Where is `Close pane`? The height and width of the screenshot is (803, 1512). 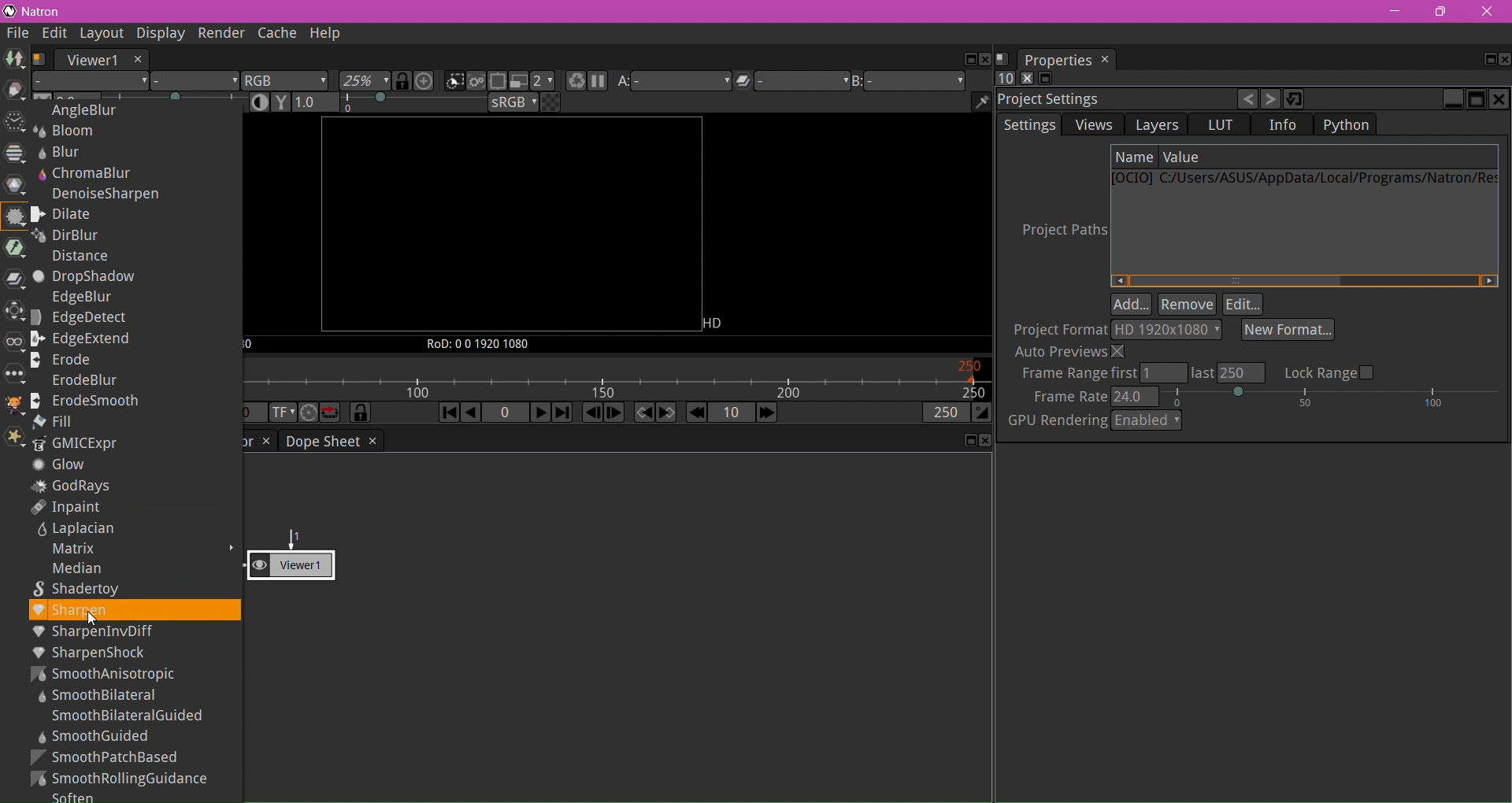
Close pane is located at coordinates (984, 441).